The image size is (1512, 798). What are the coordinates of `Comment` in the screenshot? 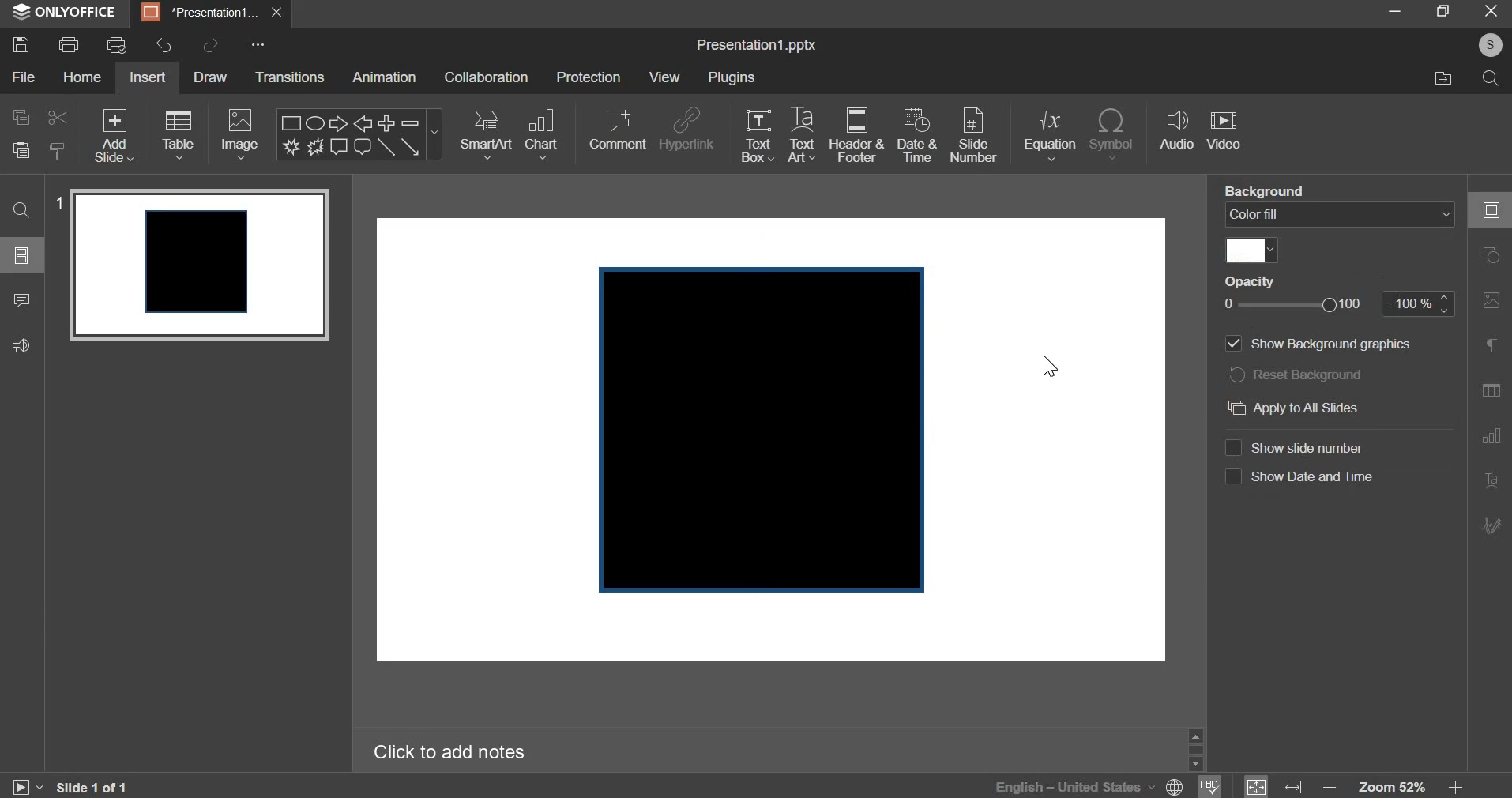 It's located at (340, 148).